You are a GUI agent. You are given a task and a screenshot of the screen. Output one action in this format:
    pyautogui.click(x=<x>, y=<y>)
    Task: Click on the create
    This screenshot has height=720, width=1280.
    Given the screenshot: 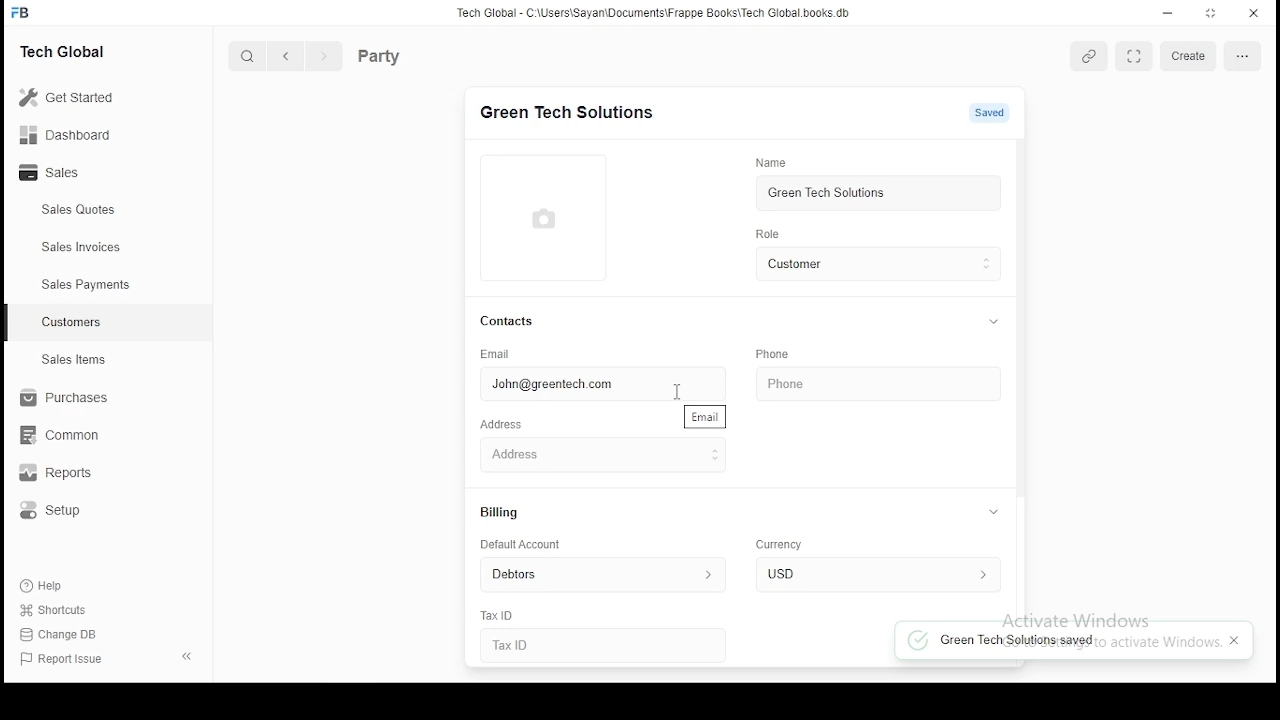 What is the action you would take?
    pyautogui.click(x=1191, y=55)
    